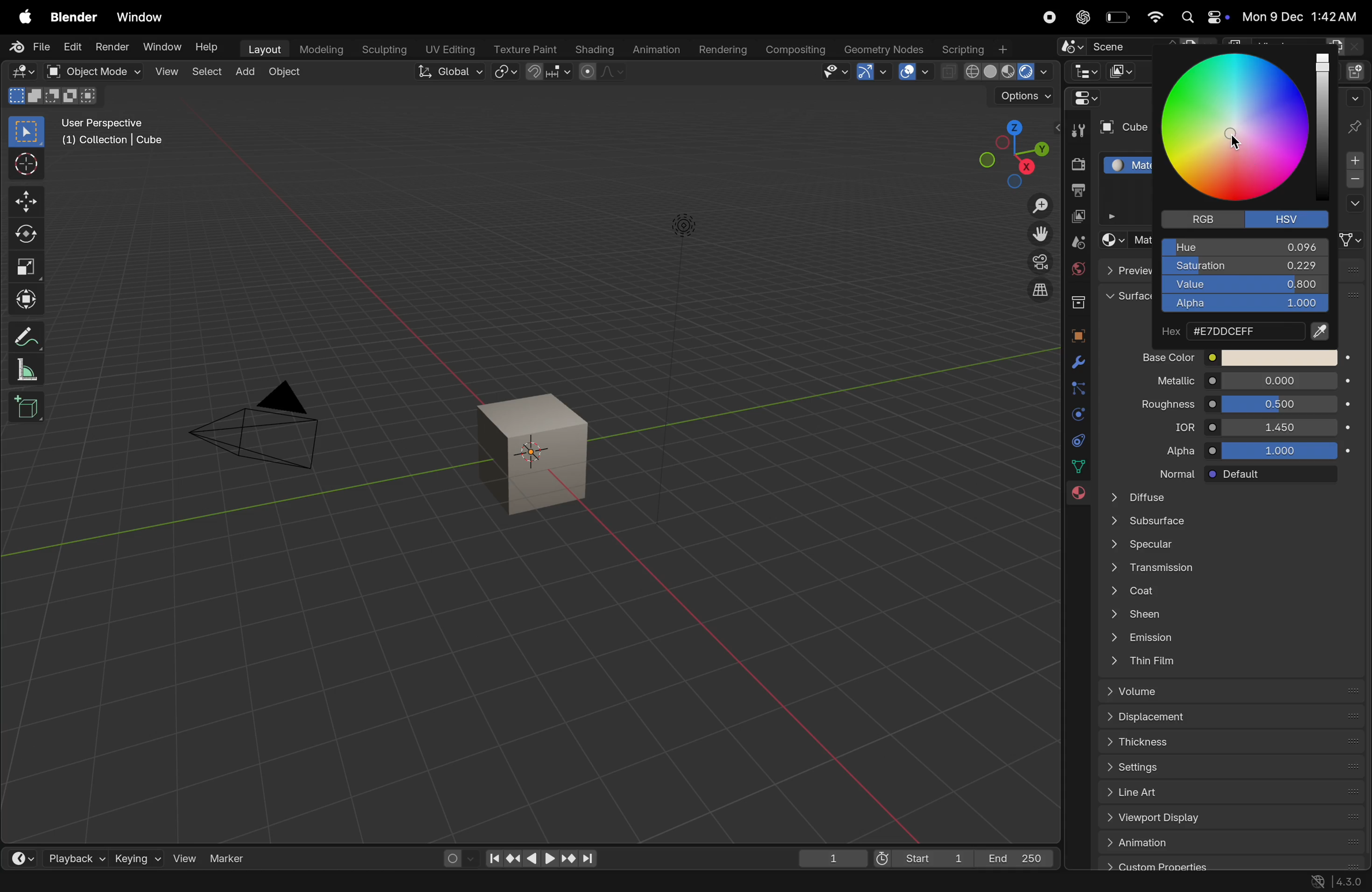 The width and height of the screenshot is (1372, 892). Describe the element at coordinates (601, 71) in the screenshot. I see `proportional editing objects` at that location.